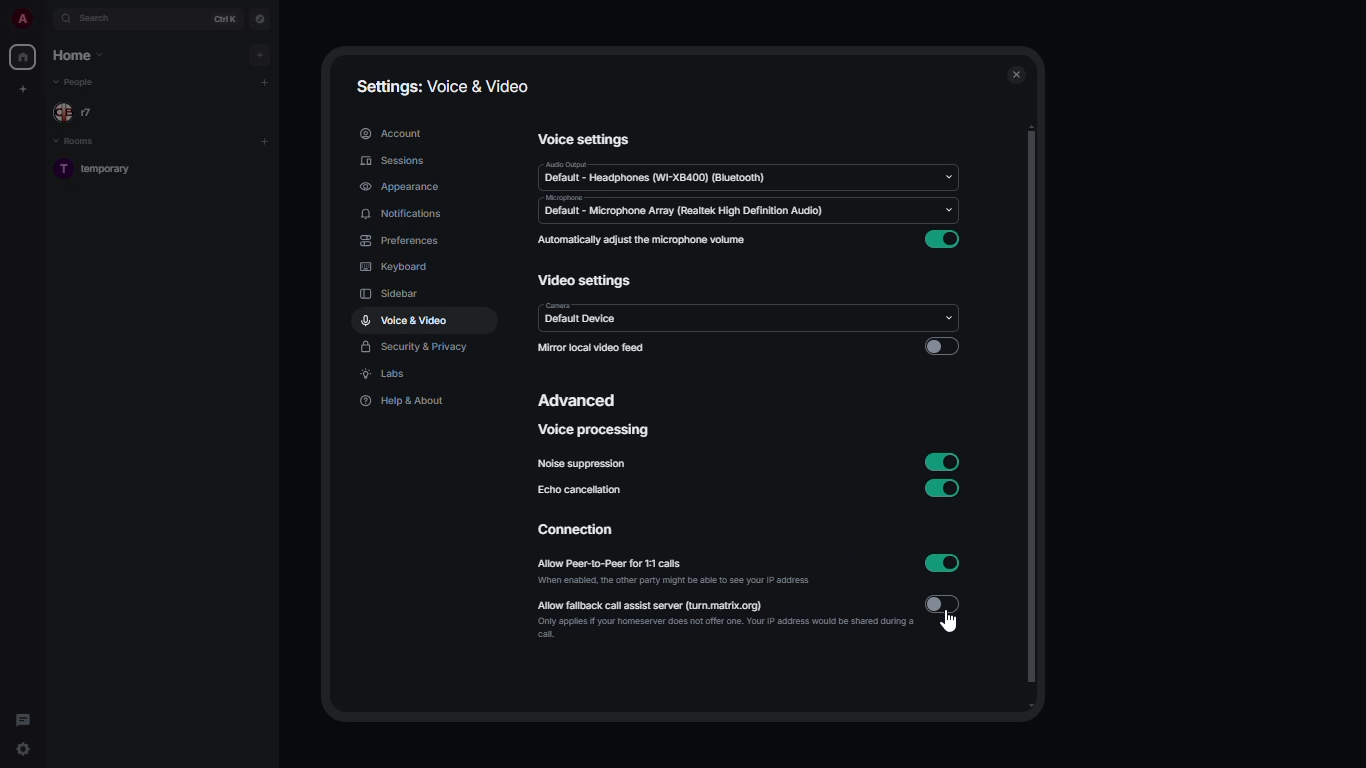 The width and height of the screenshot is (1366, 768). I want to click on cursor, so click(954, 625).